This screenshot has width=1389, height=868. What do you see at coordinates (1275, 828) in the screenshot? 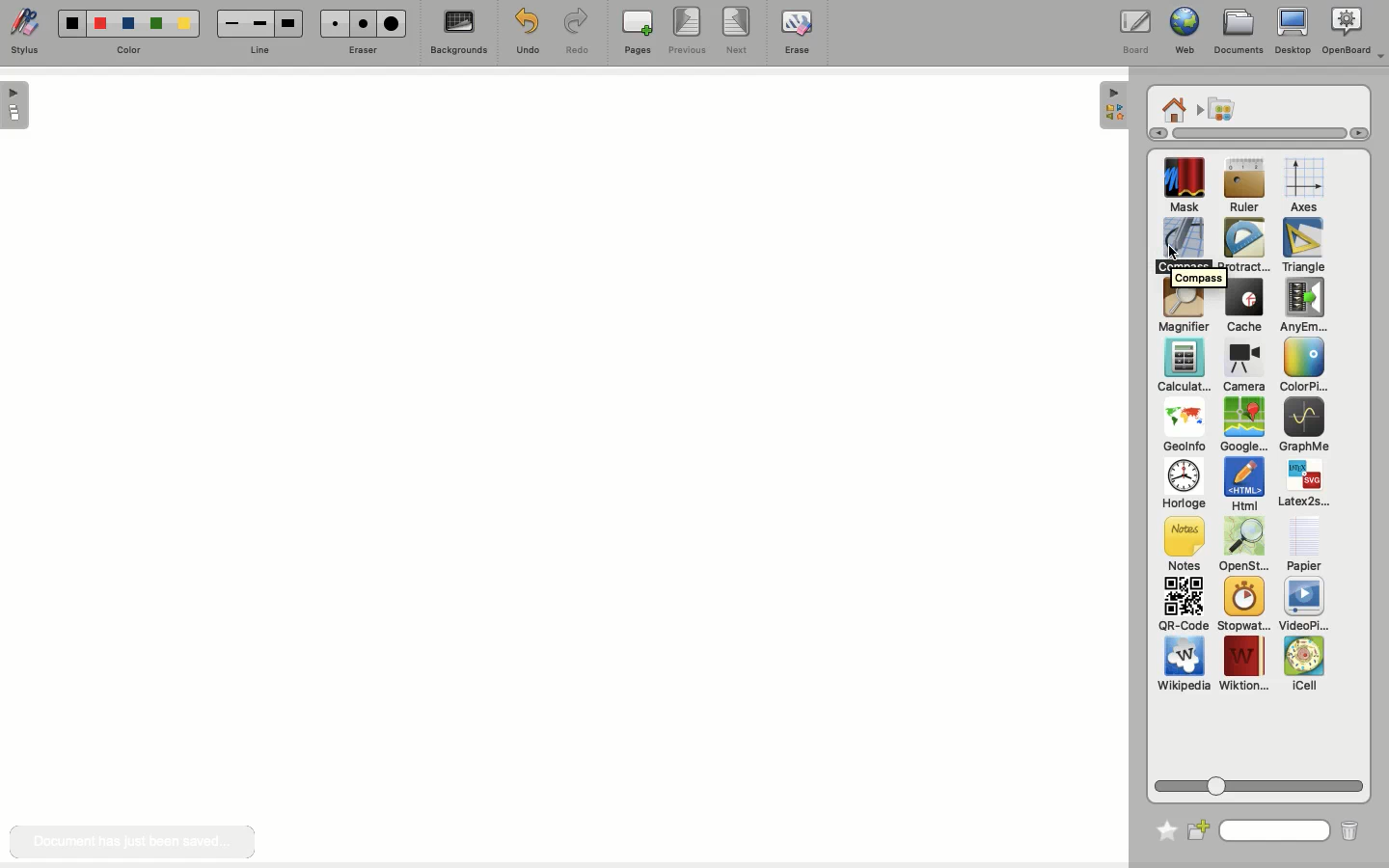
I see `Search` at bounding box center [1275, 828].